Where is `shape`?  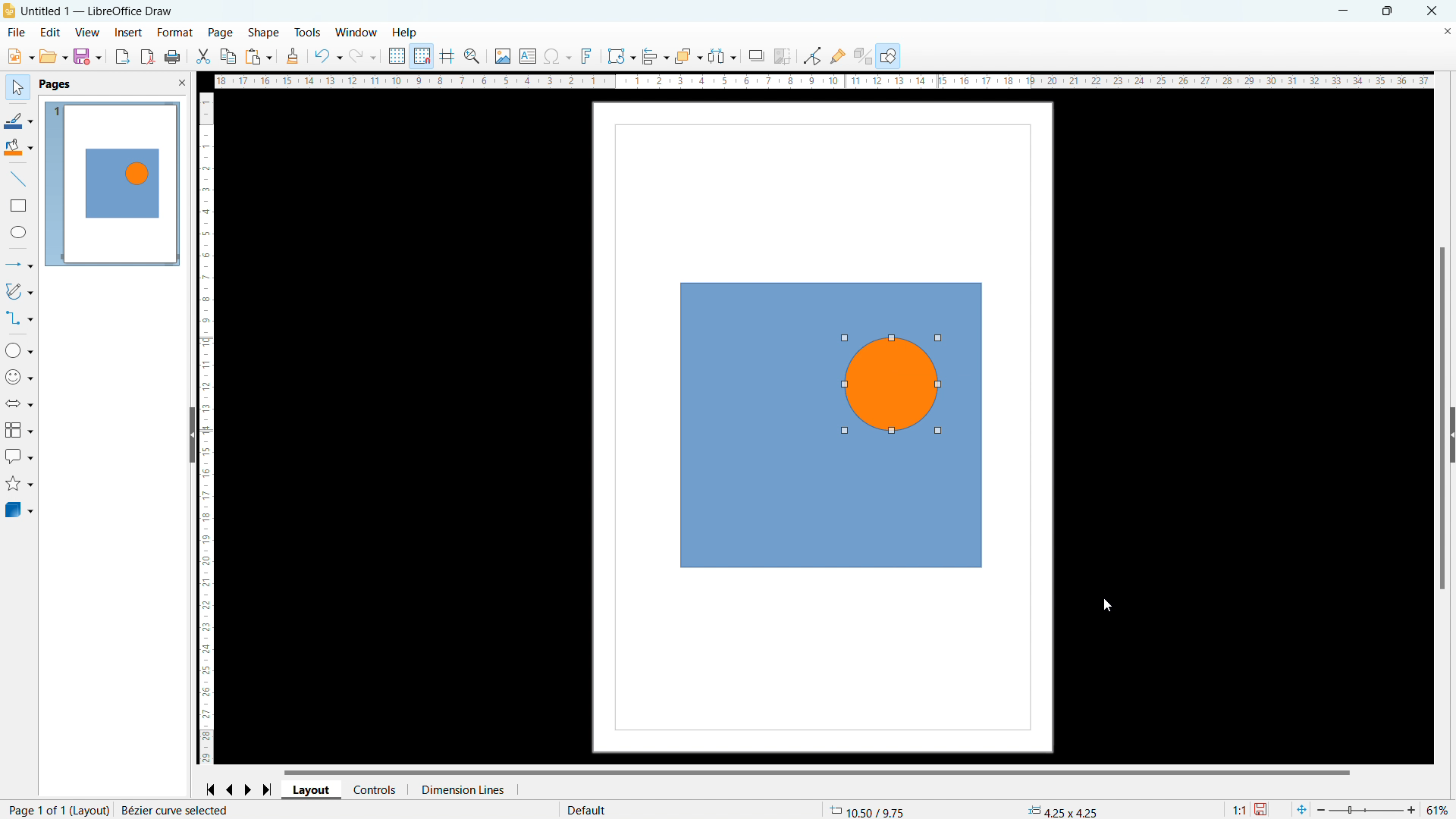
shape is located at coordinates (264, 33).